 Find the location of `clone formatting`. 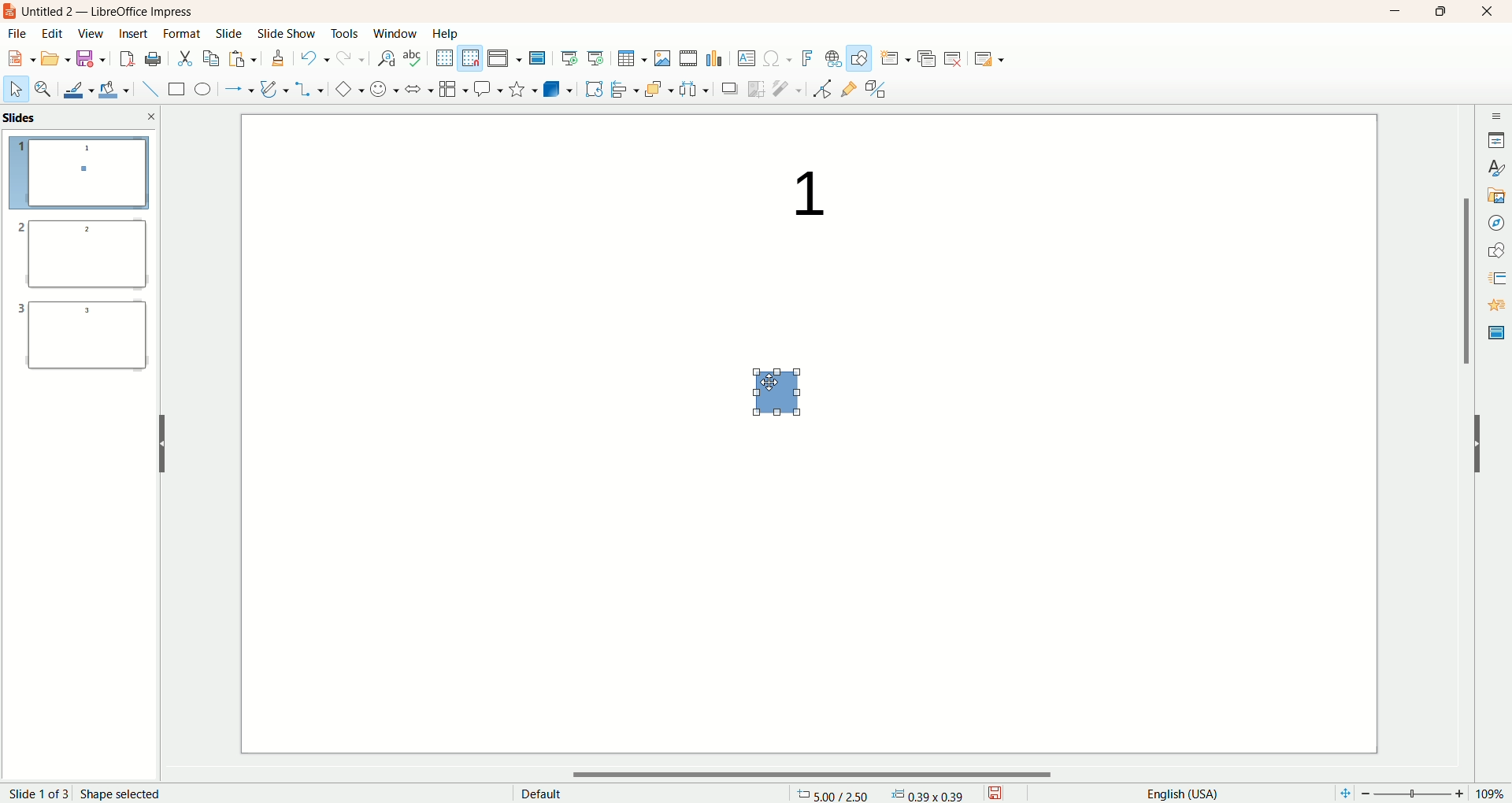

clone formatting is located at coordinates (276, 59).